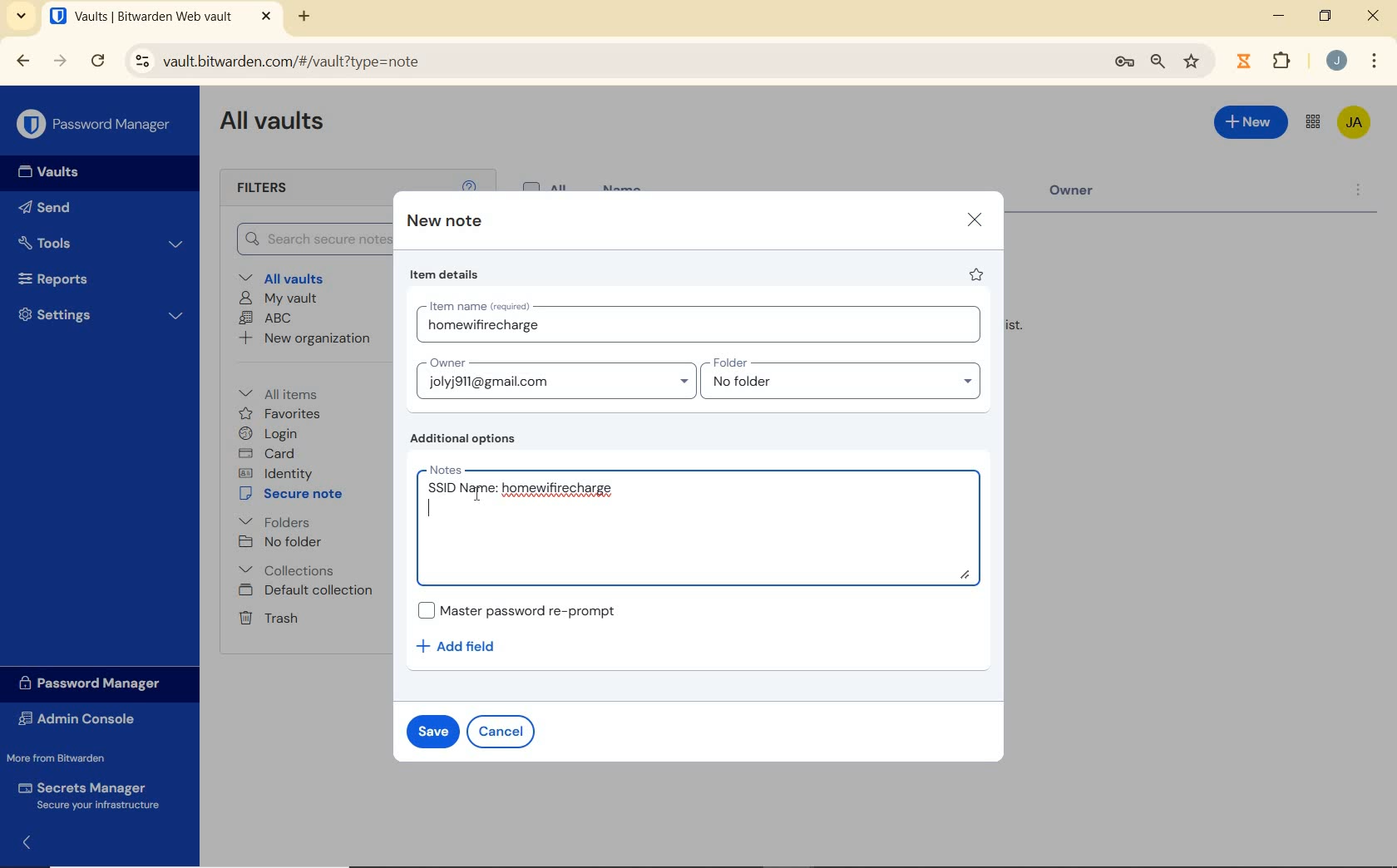 This screenshot has width=1397, height=868. Describe the element at coordinates (306, 18) in the screenshot. I see `new tab` at that location.